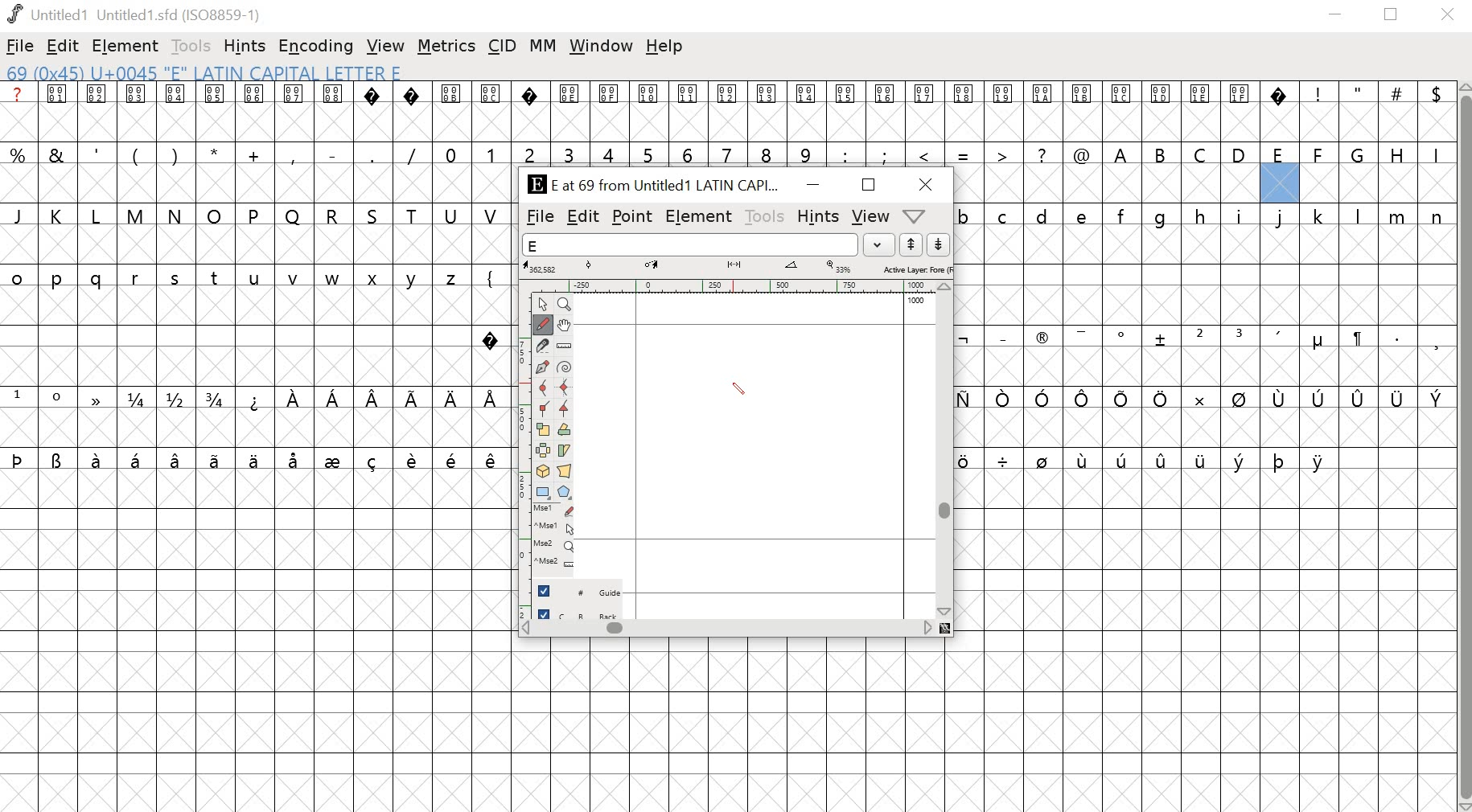 This screenshot has height=812, width=1472. Describe the element at coordinates (565, 345) in the screenshot. I see `Ruler` at that location.